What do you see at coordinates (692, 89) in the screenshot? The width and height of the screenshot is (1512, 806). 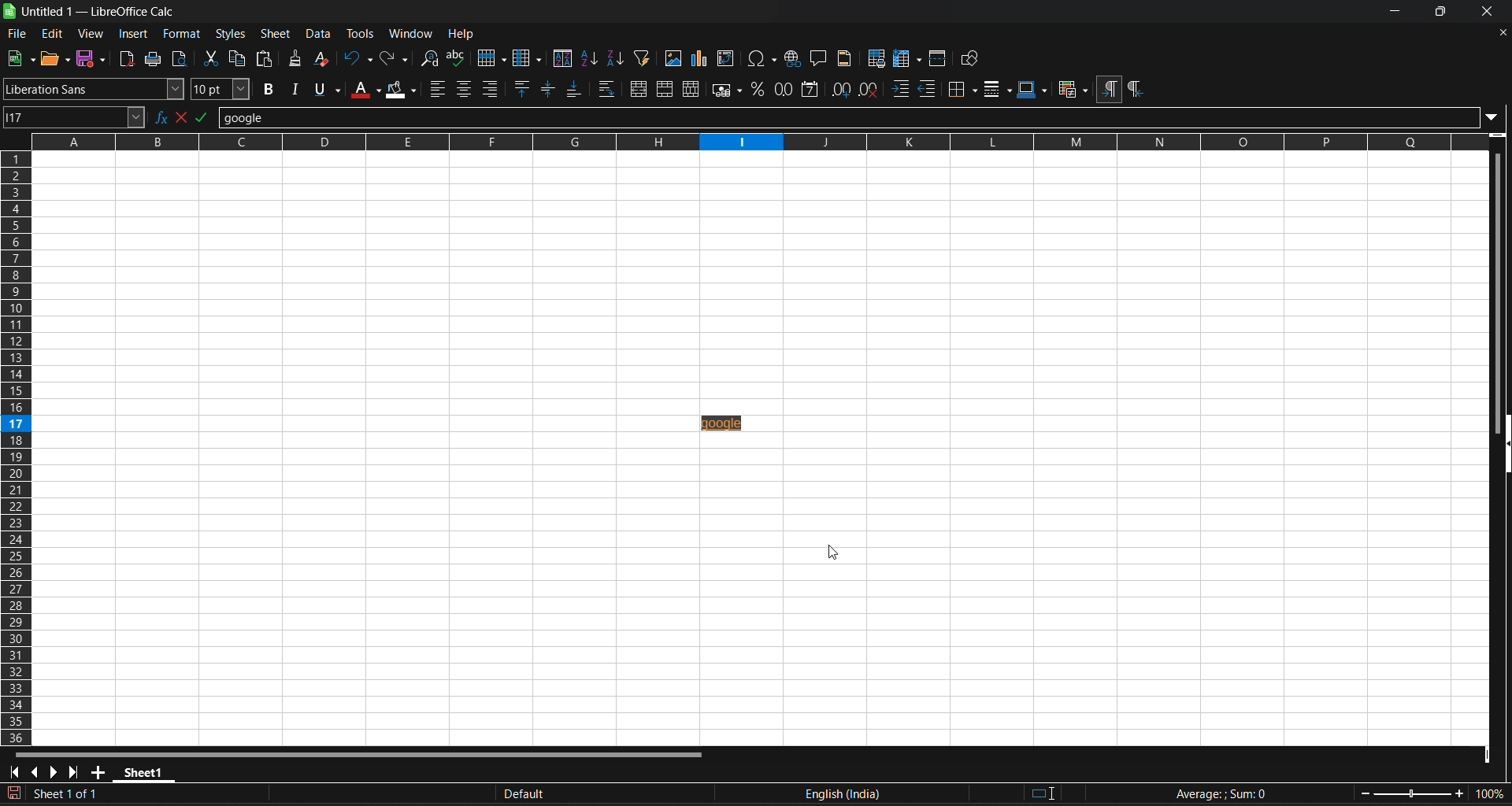 I see `unmerge cells` at bounding box center [692, 89].